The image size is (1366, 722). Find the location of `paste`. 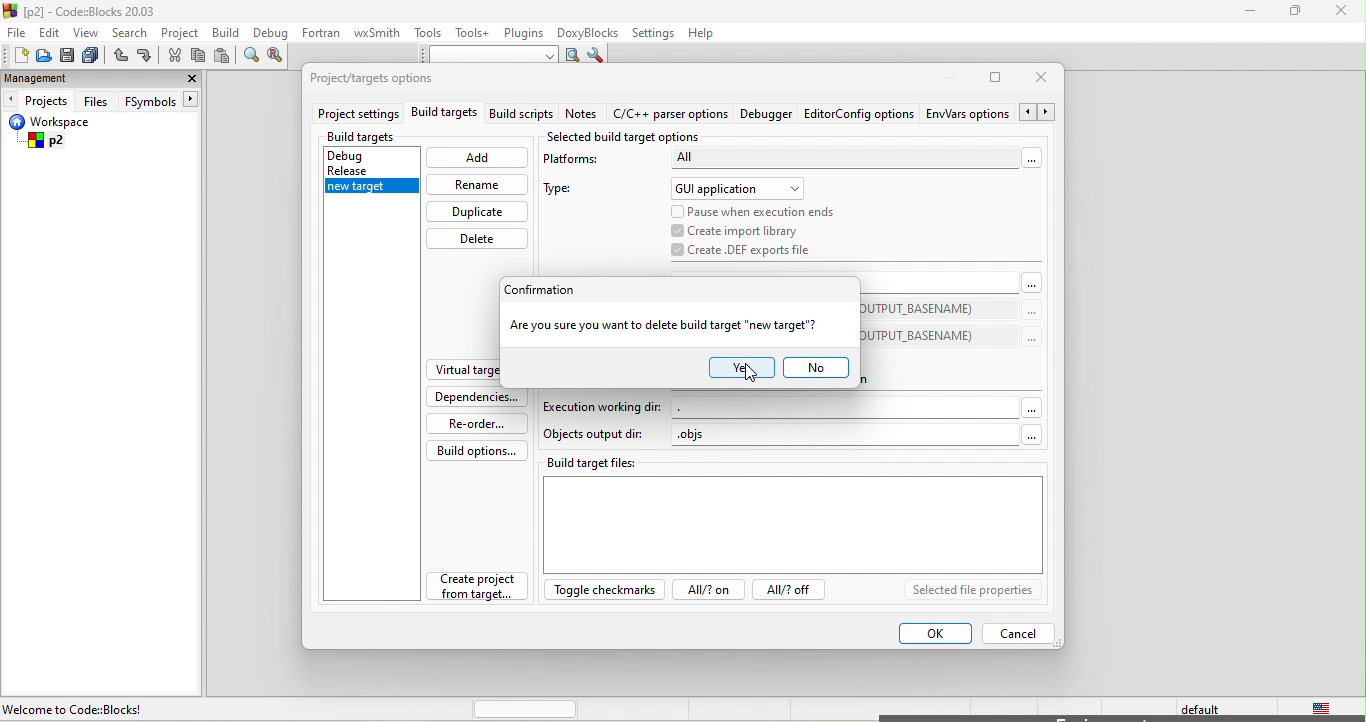

paste is located at coordinates (223, 58).